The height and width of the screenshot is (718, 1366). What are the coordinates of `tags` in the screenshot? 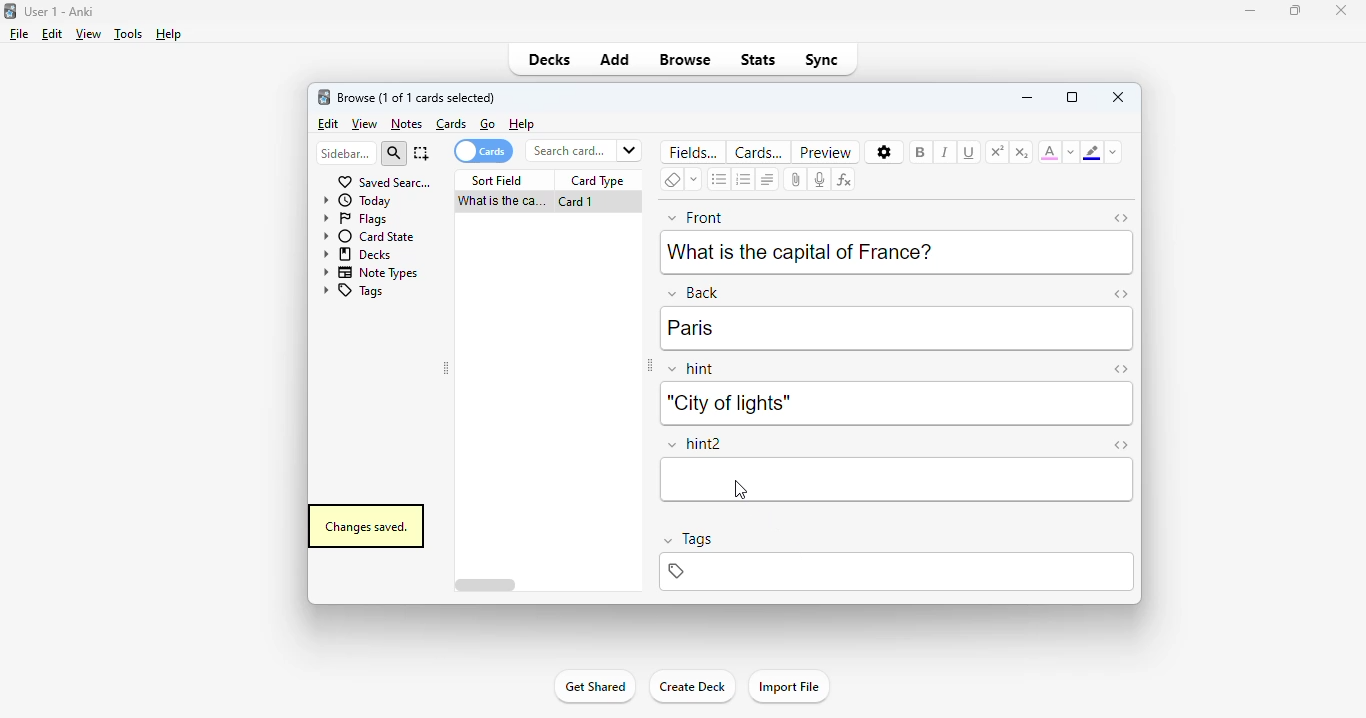 It's located at (352, 292).